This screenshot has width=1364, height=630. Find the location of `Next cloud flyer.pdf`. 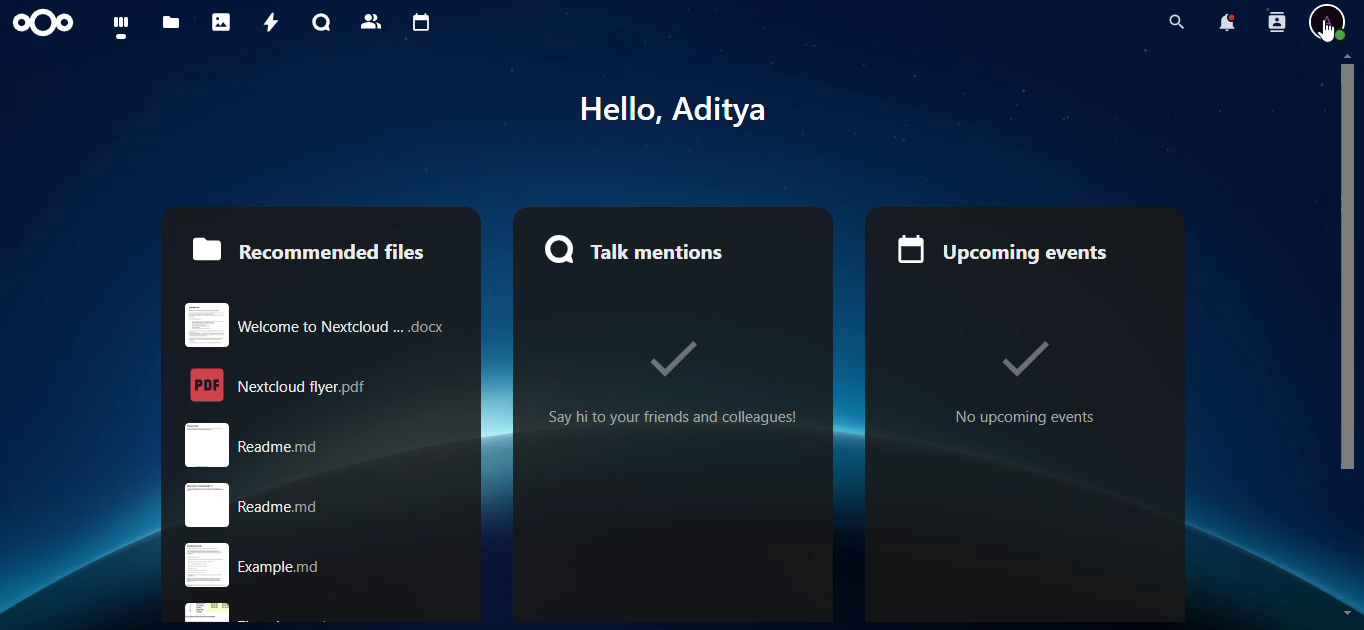

Next cloud flyer.pdf is located at coordinates (320, 384).